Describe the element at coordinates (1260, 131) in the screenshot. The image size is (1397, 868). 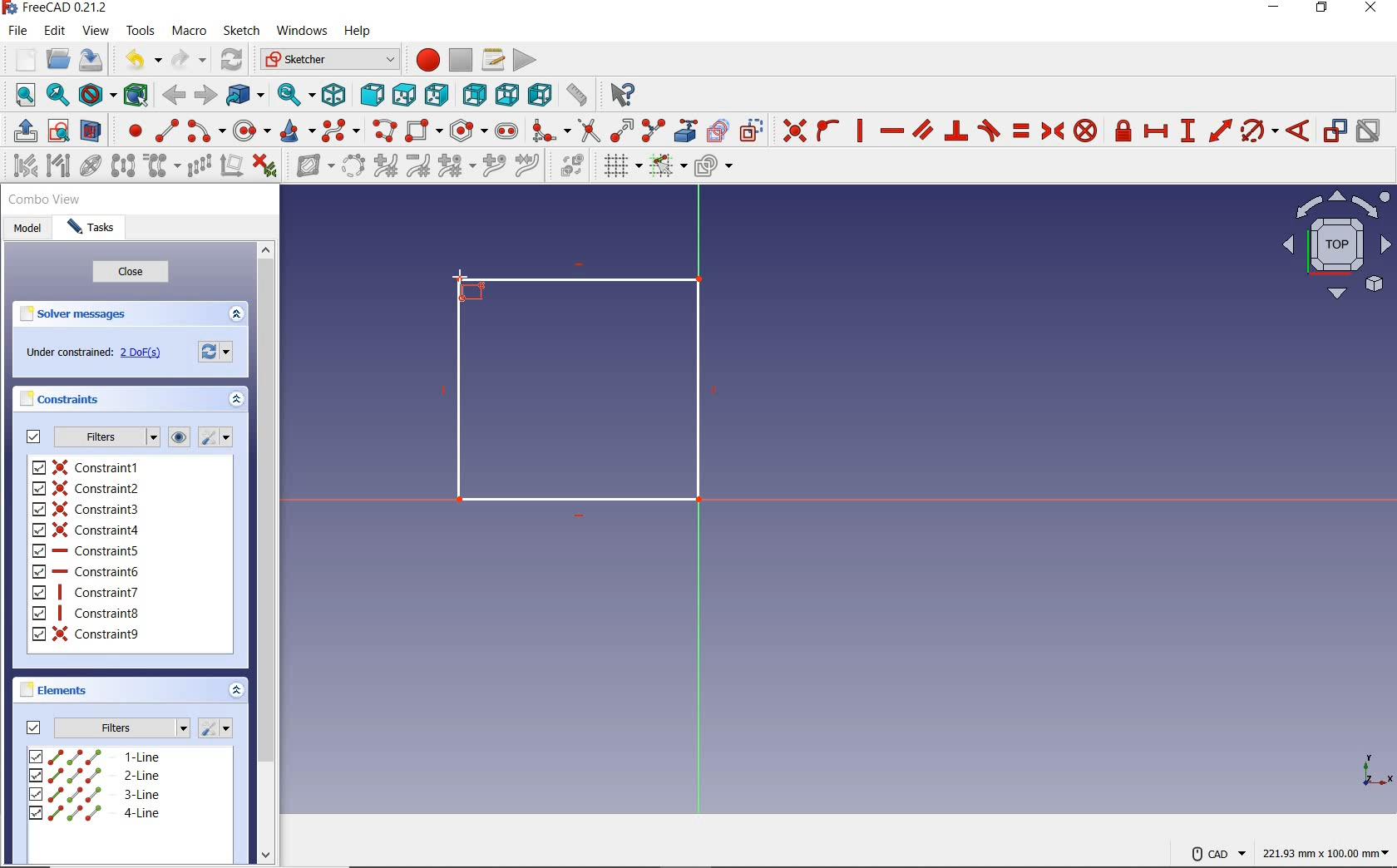
I see `constraint arc/circle` at that location.